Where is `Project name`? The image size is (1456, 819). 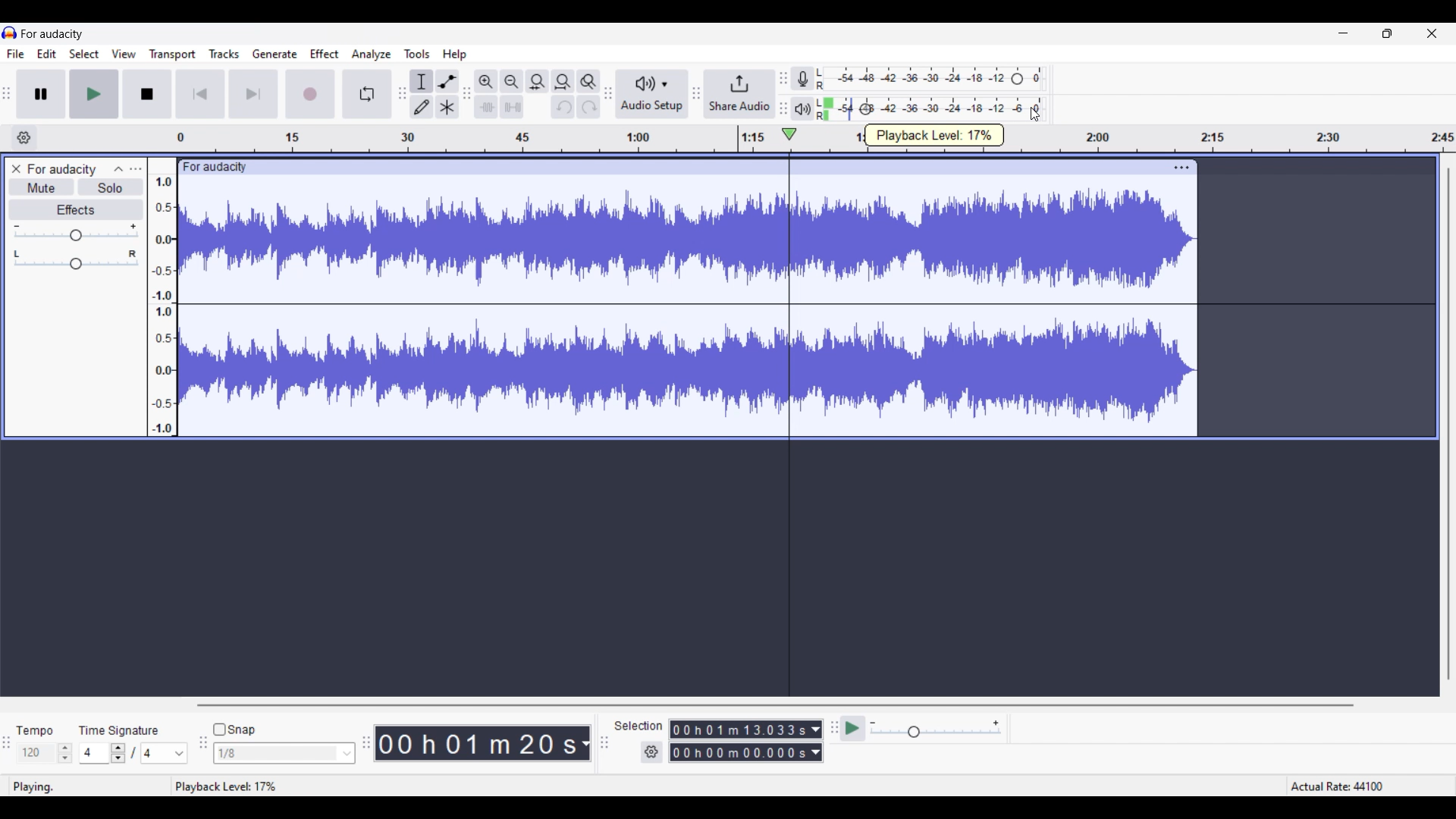 Project name is located at coordinates (52, 34).